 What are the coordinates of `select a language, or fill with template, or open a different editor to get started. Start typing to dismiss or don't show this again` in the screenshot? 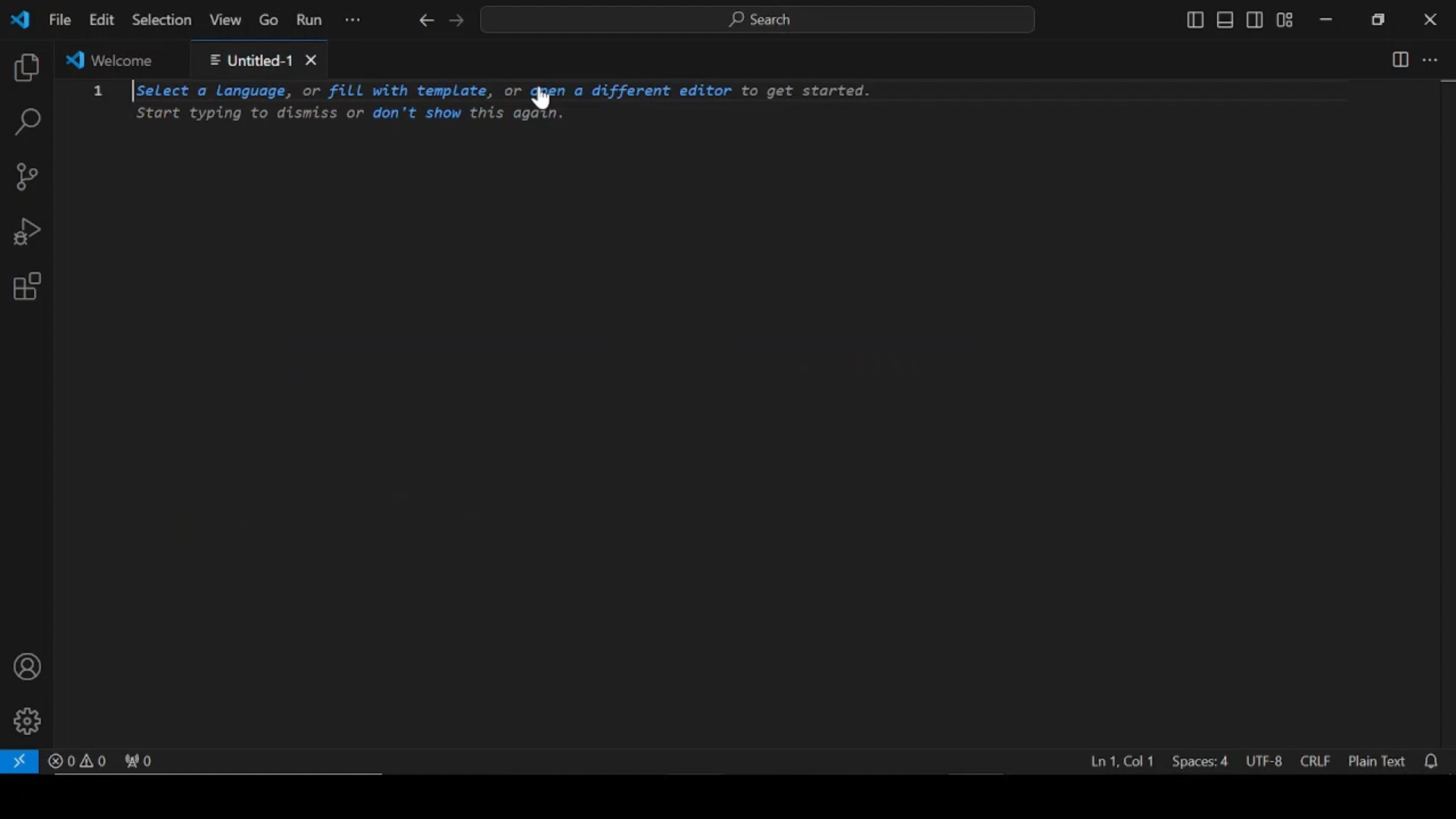 It's located at (507, 105).